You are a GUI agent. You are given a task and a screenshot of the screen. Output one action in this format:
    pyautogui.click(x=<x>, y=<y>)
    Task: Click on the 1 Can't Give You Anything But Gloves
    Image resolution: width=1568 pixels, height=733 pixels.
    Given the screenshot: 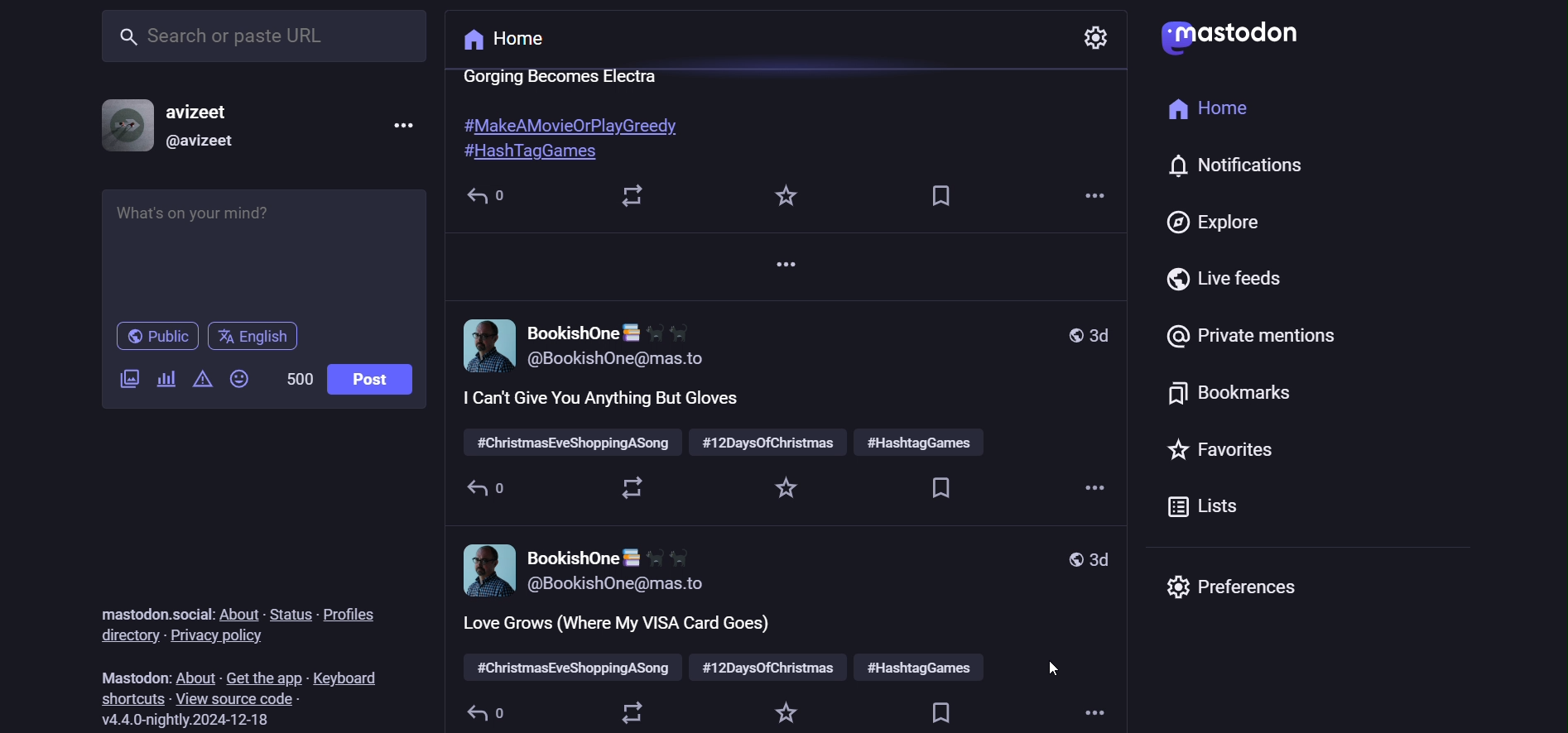 What is the action you would take?
    pyautogui.click(x=602, y=400)
    